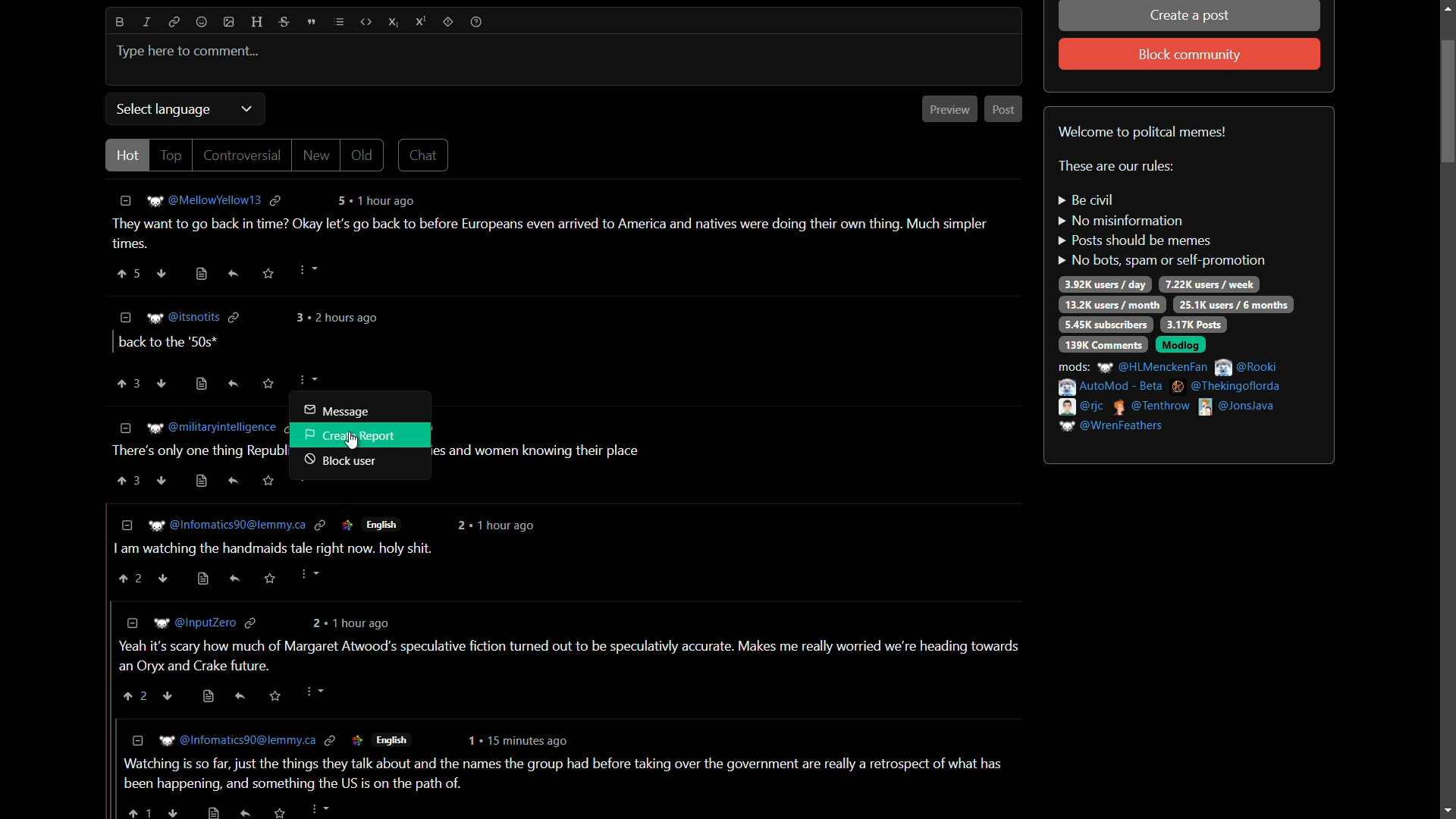 The width and height of the screenshot is (1456, 819). Describe the element at coordinates (229, 21) in the screenshot. I see `image` at that location.